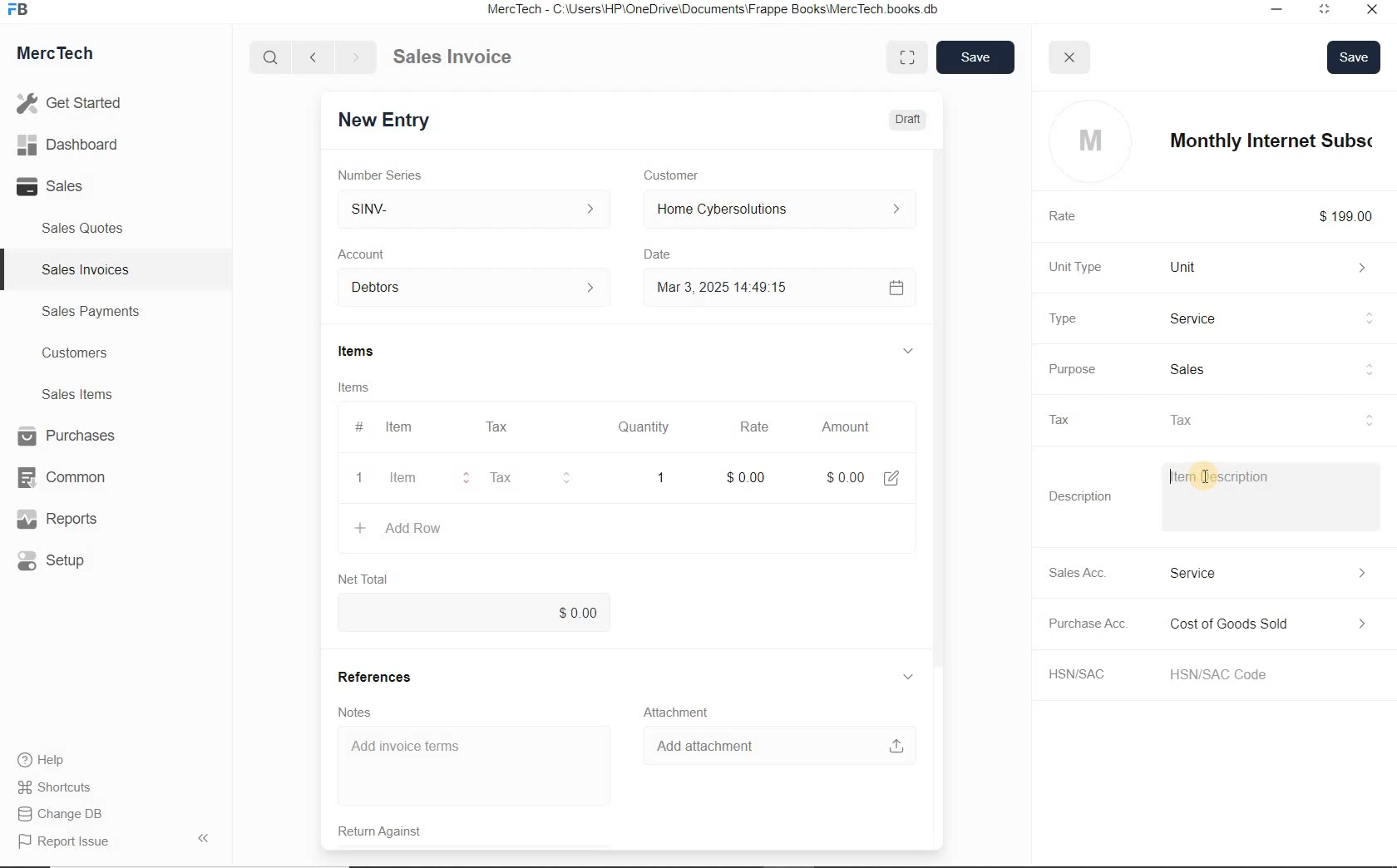  I want to click on Items, so click(370, 353).